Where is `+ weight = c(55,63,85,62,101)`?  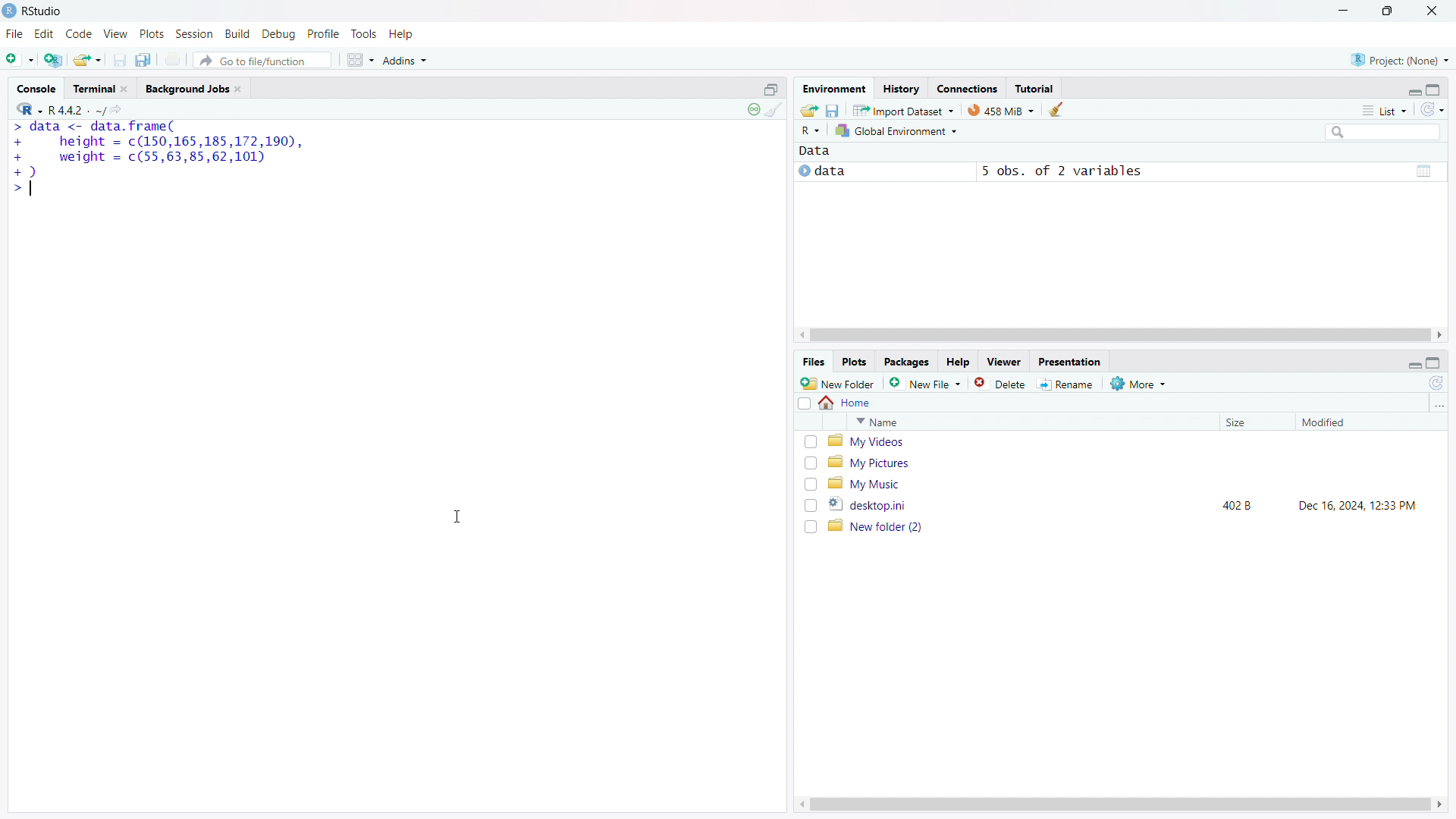
+ weight = c(55,63,85,62,101) is located at coordinates (142, 158).